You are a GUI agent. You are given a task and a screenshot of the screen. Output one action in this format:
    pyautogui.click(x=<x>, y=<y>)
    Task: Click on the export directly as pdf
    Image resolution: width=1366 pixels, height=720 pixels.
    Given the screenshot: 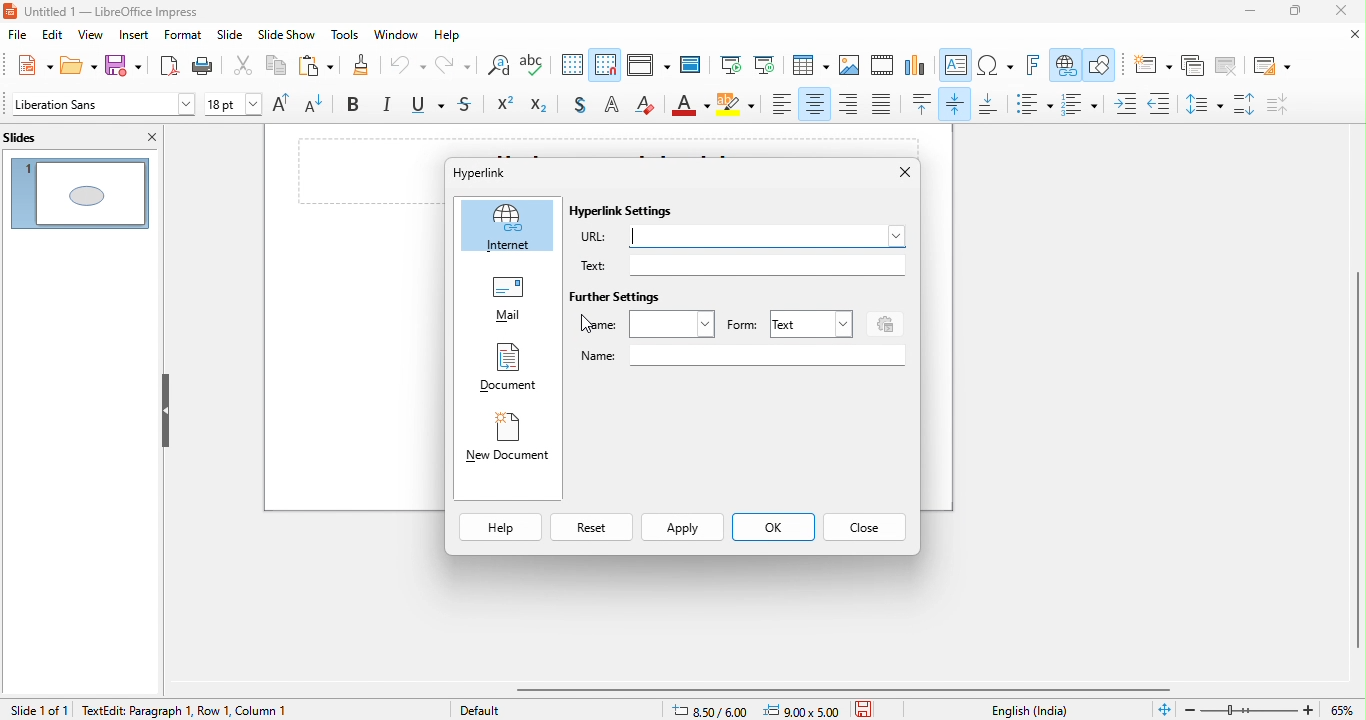 What is the action you would take?
    pyautogui.click(x=167, y=66)
    